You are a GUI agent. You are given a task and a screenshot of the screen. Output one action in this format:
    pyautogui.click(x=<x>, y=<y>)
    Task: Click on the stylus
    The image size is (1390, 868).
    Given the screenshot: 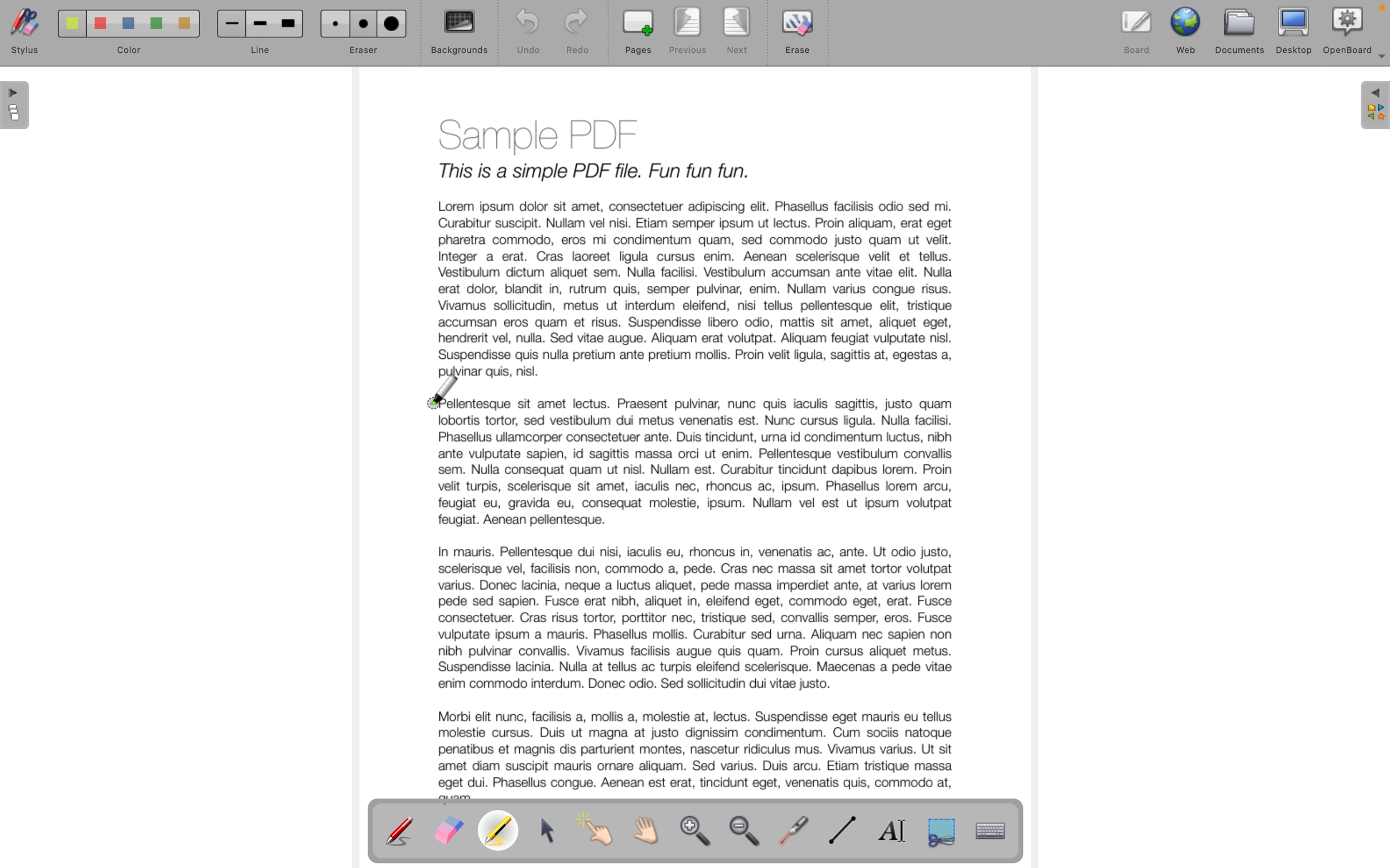 What is the action you would take?
    pyautogui.click(x=22, y=34)
    